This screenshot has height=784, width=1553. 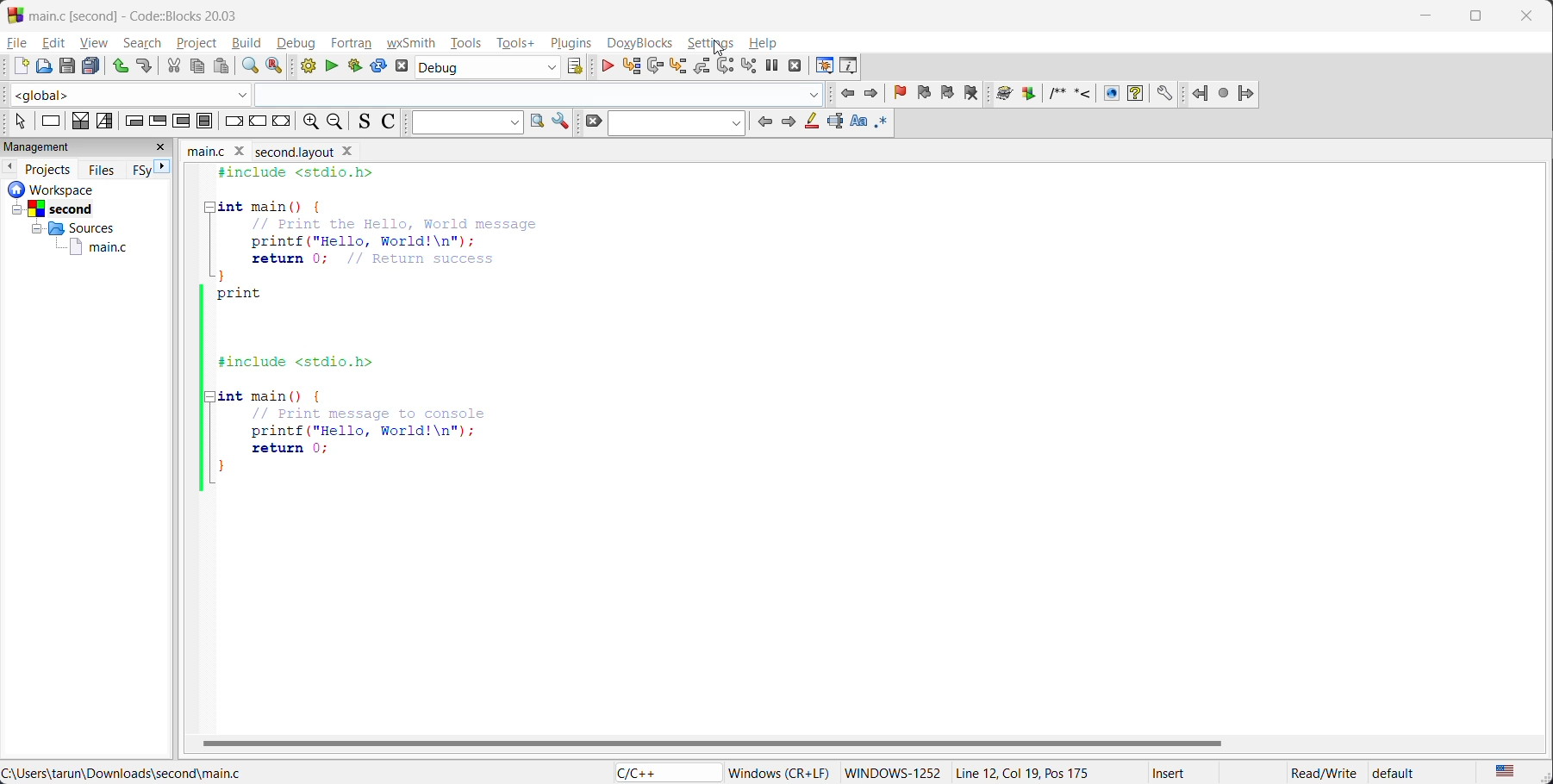 I want to click on step out, so click(x=701, y=68).